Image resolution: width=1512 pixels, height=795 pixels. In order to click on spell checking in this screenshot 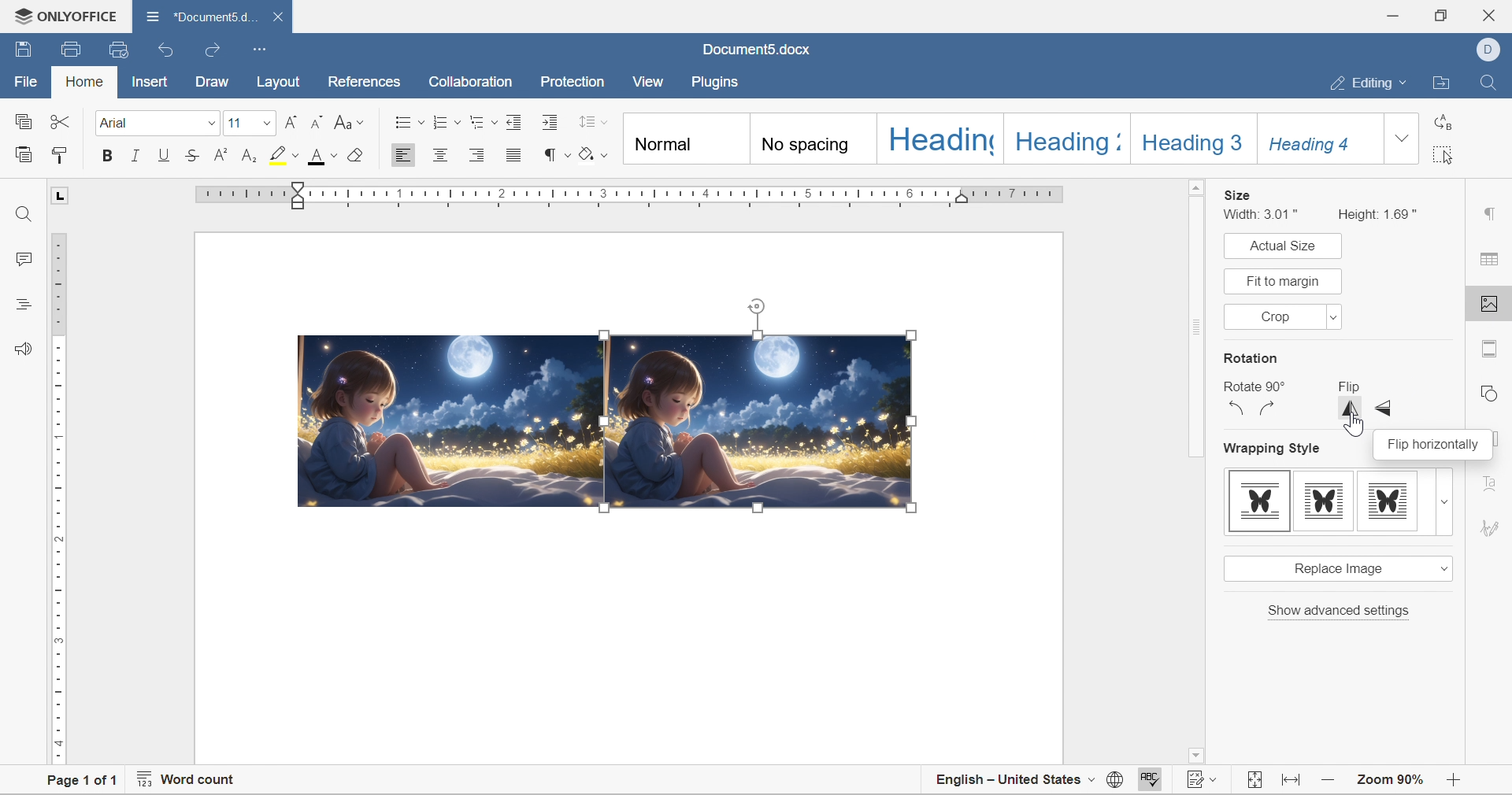, I will do `click(1155, 778)`.